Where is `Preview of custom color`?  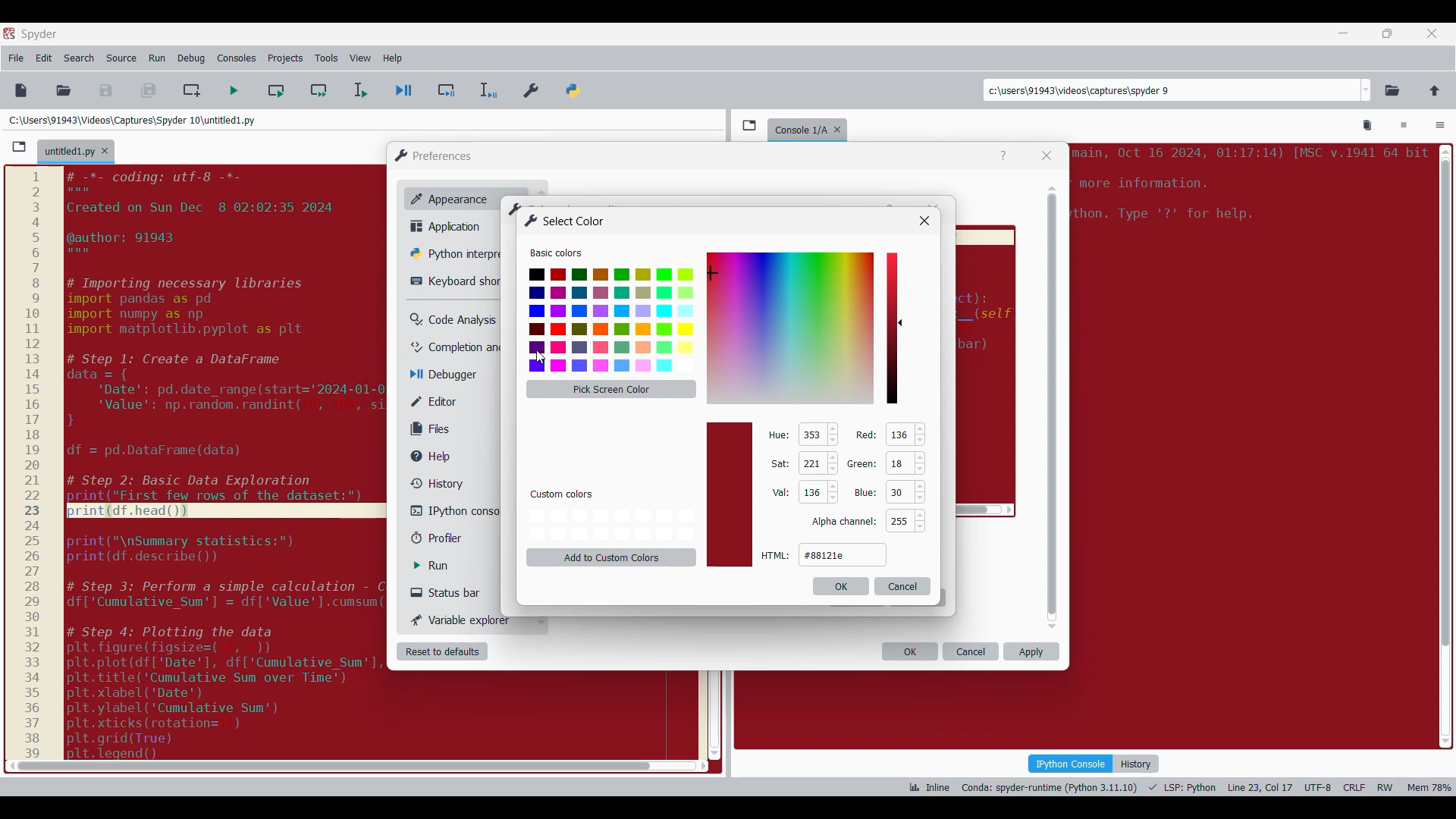
Preview of custom color is located at coordinates (730, 494).